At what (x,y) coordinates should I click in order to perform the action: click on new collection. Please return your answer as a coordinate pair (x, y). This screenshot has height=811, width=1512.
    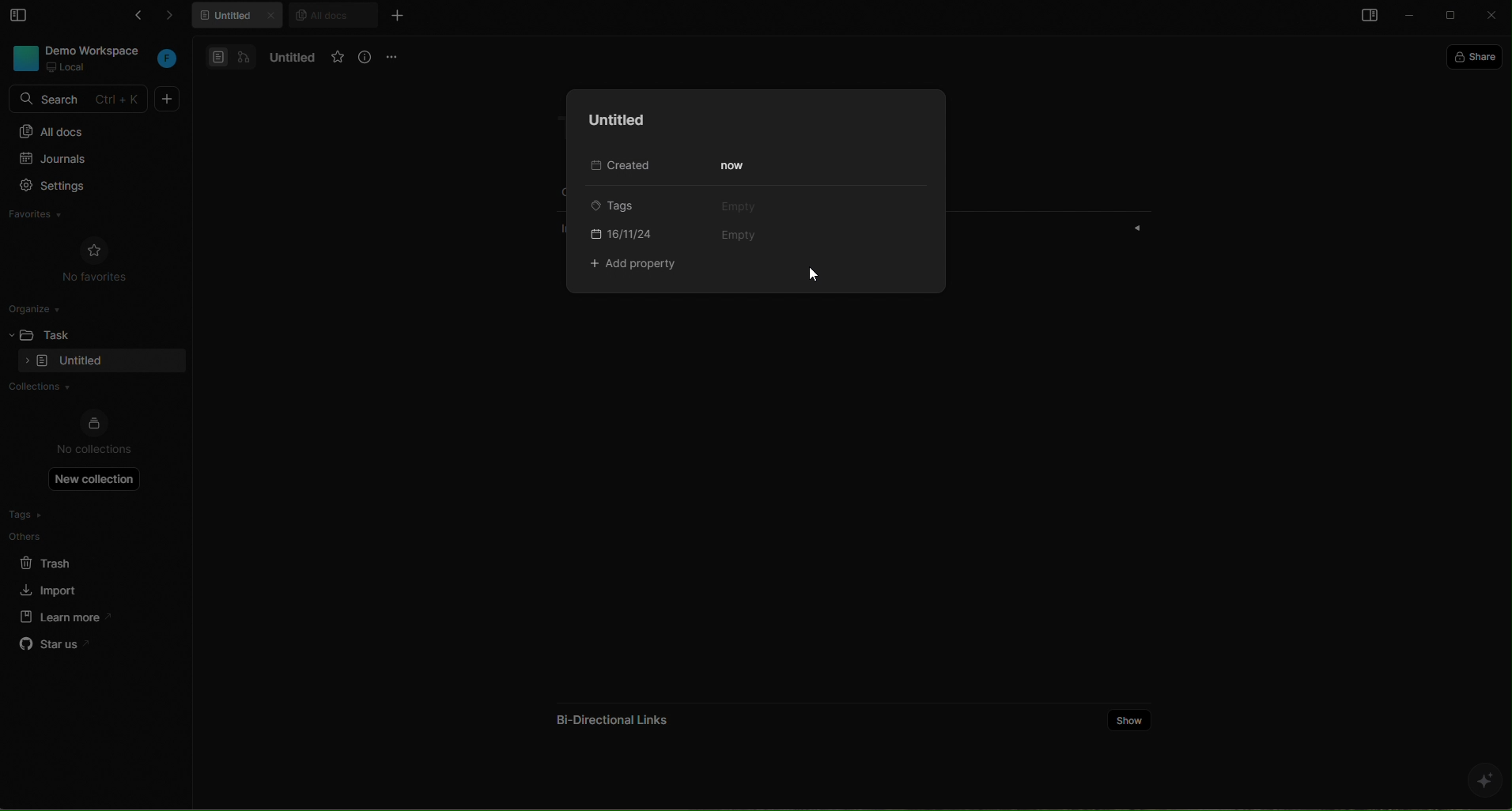
    Looking at the image, I should click on (95, 478).